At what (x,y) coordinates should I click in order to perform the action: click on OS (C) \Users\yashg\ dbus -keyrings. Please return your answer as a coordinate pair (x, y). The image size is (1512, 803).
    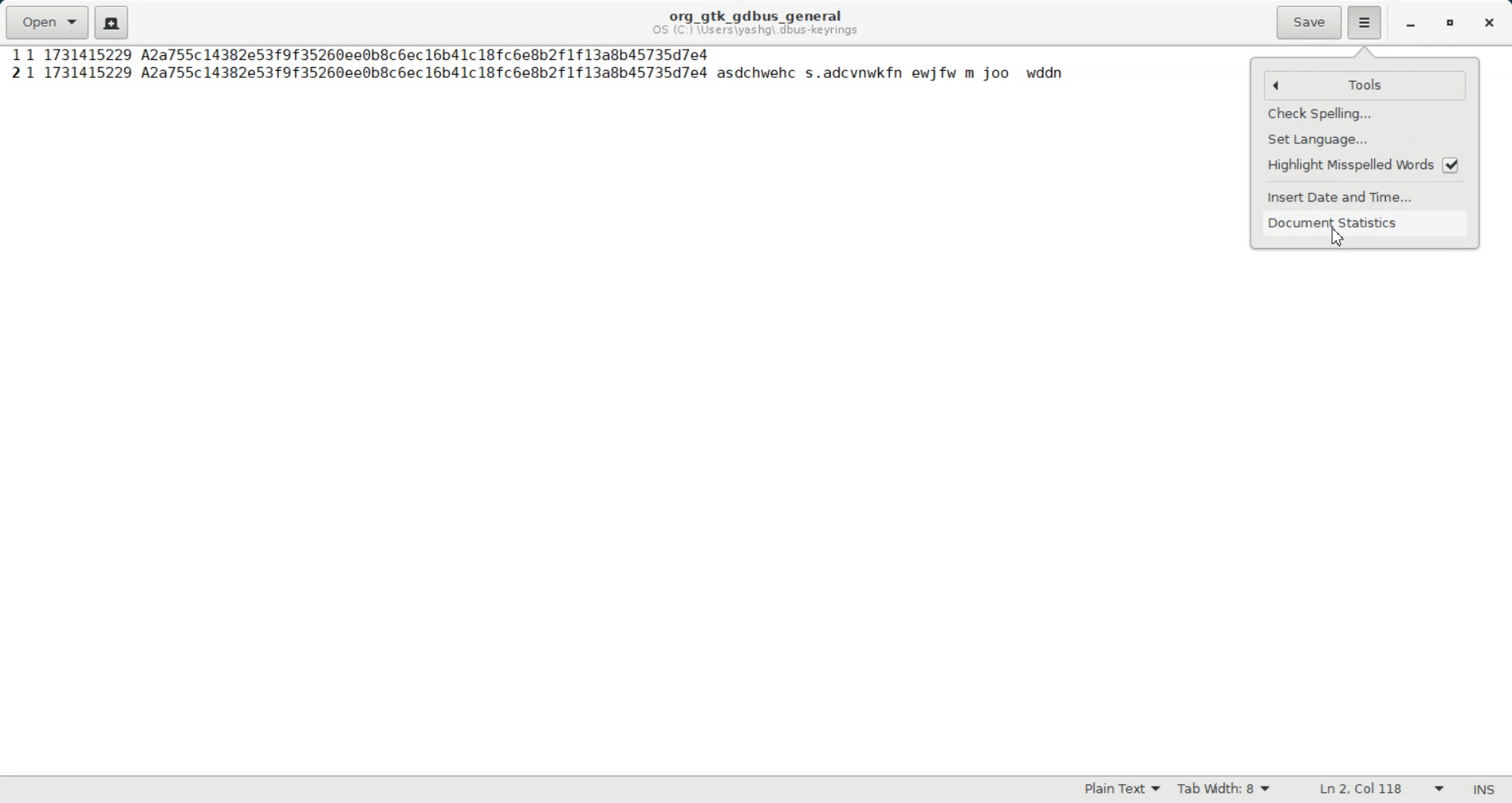
    Looking at the image, I should click on (758, 33).